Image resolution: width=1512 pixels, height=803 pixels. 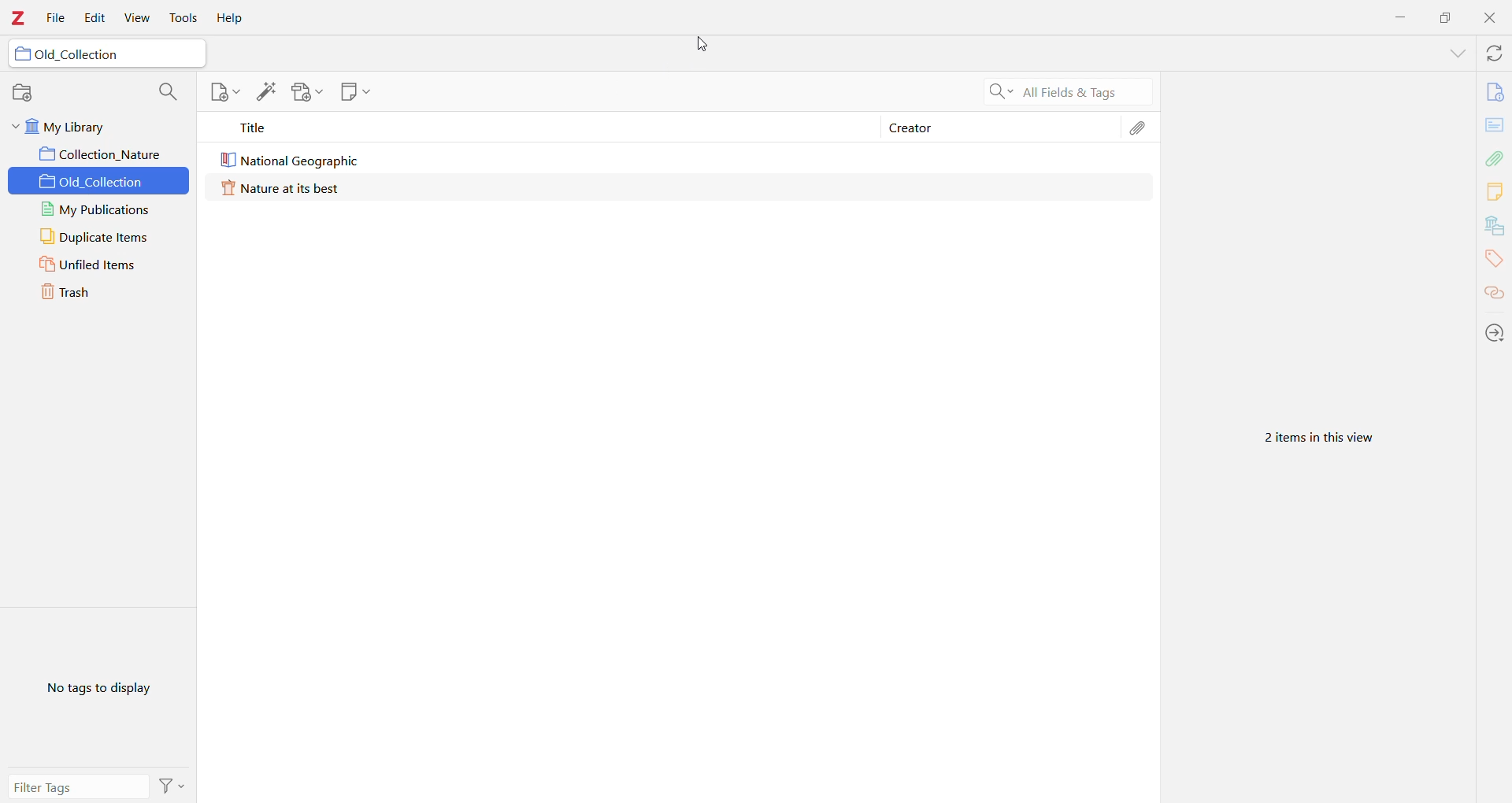 I want to click on Old_Collection, so click(x=102, y=183).